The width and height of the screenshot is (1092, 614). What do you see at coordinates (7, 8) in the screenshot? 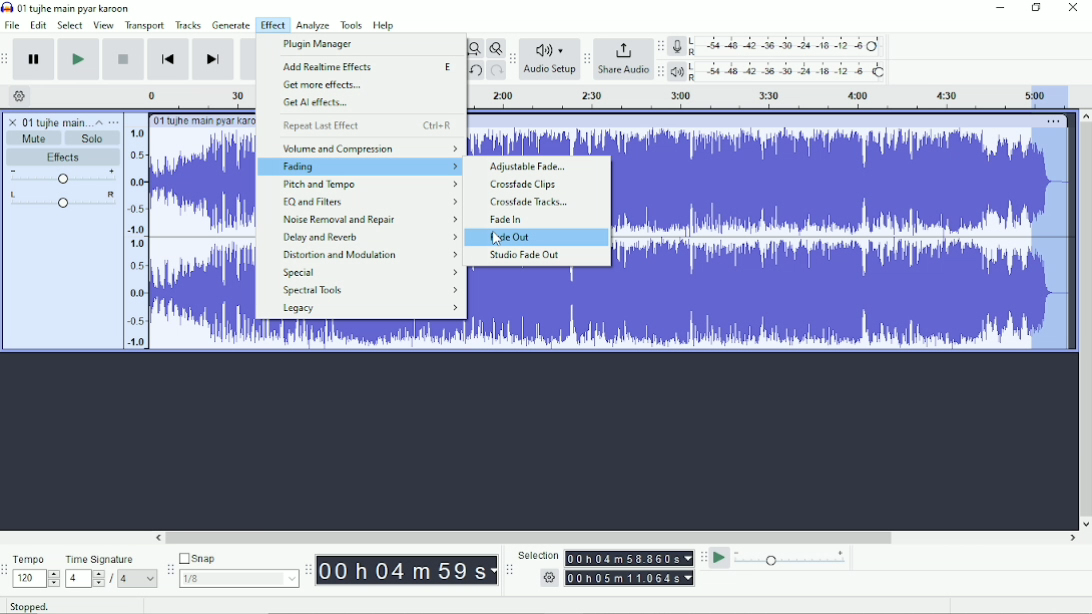
I see `Audacity logo` at bounding box center [7, 8].